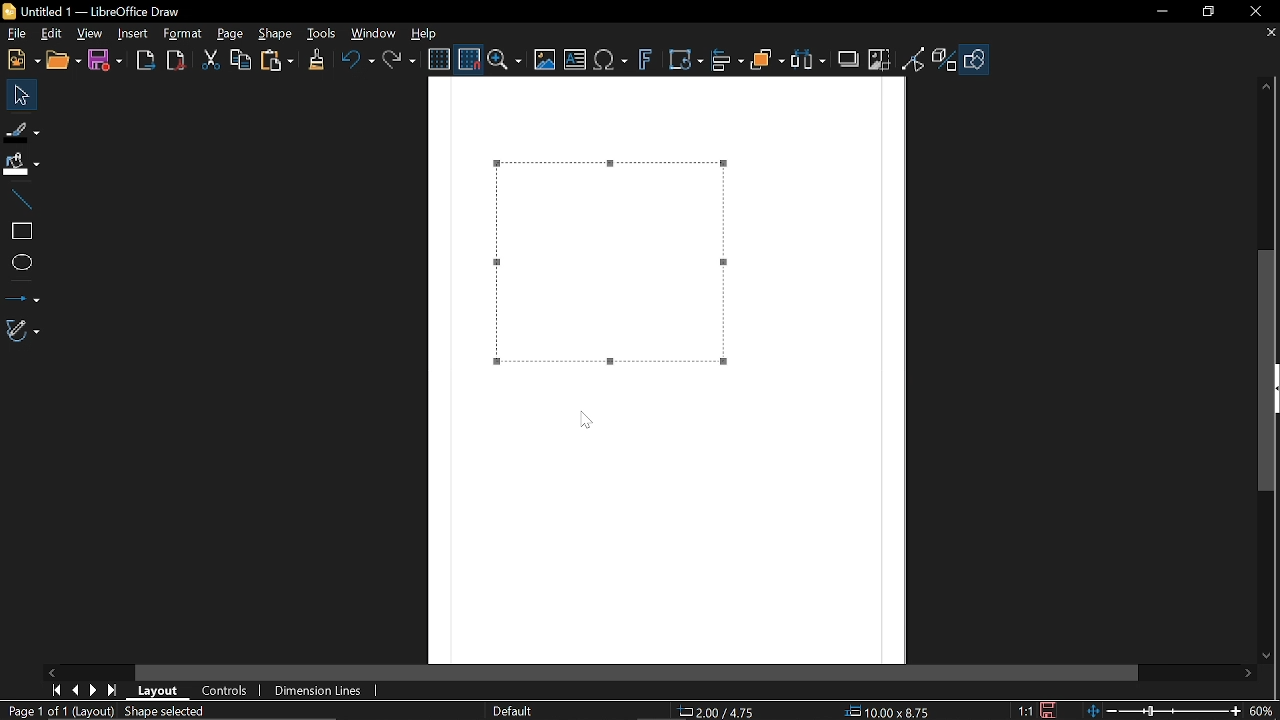 The image size is (1280, 720). What do you see at coordinates (894, 712) in the screenshot?
I see `Size` at bounding box center [894, 712].